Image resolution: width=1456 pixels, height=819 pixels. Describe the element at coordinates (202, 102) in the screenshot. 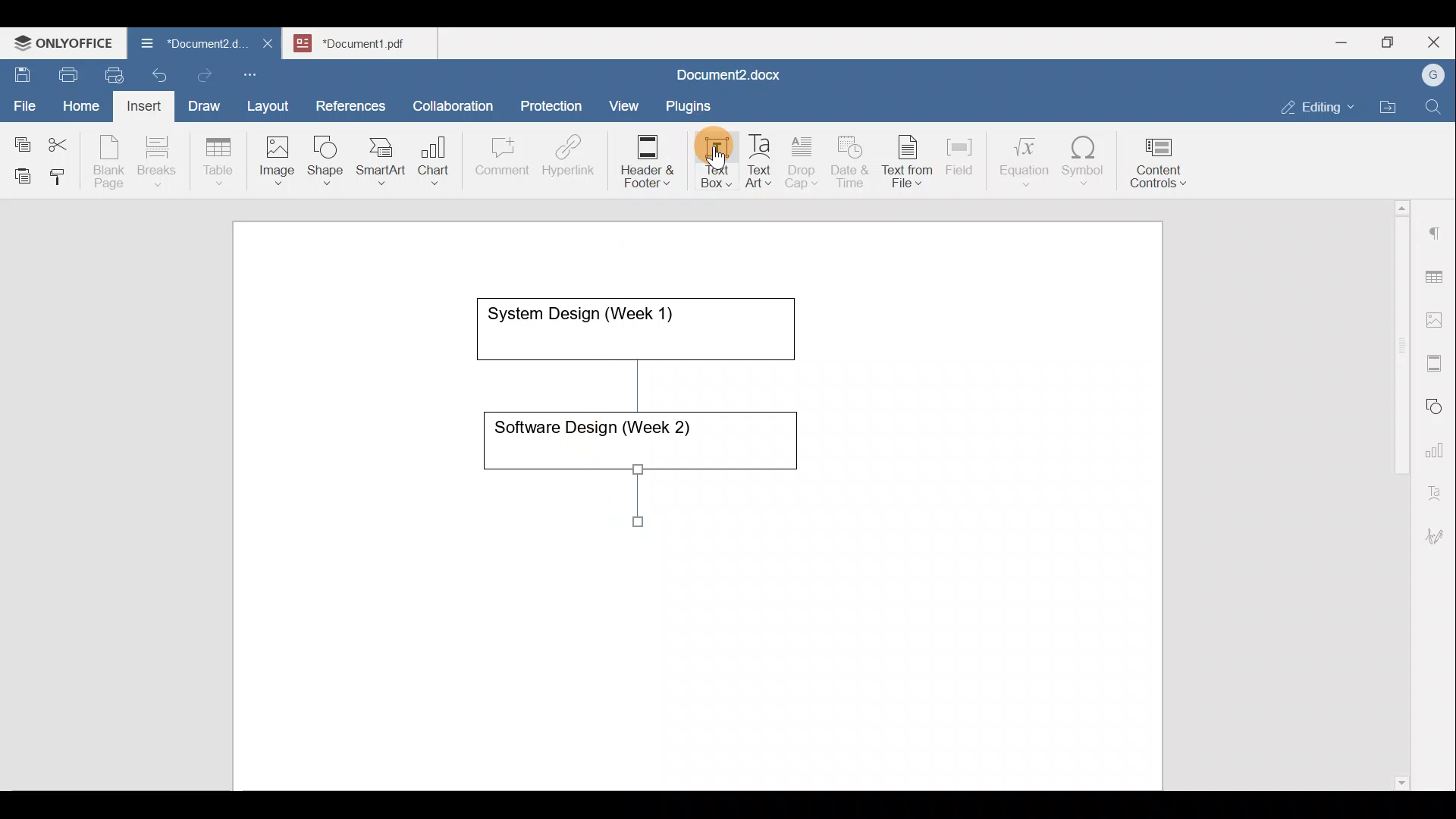

I see `Draw` at that location.